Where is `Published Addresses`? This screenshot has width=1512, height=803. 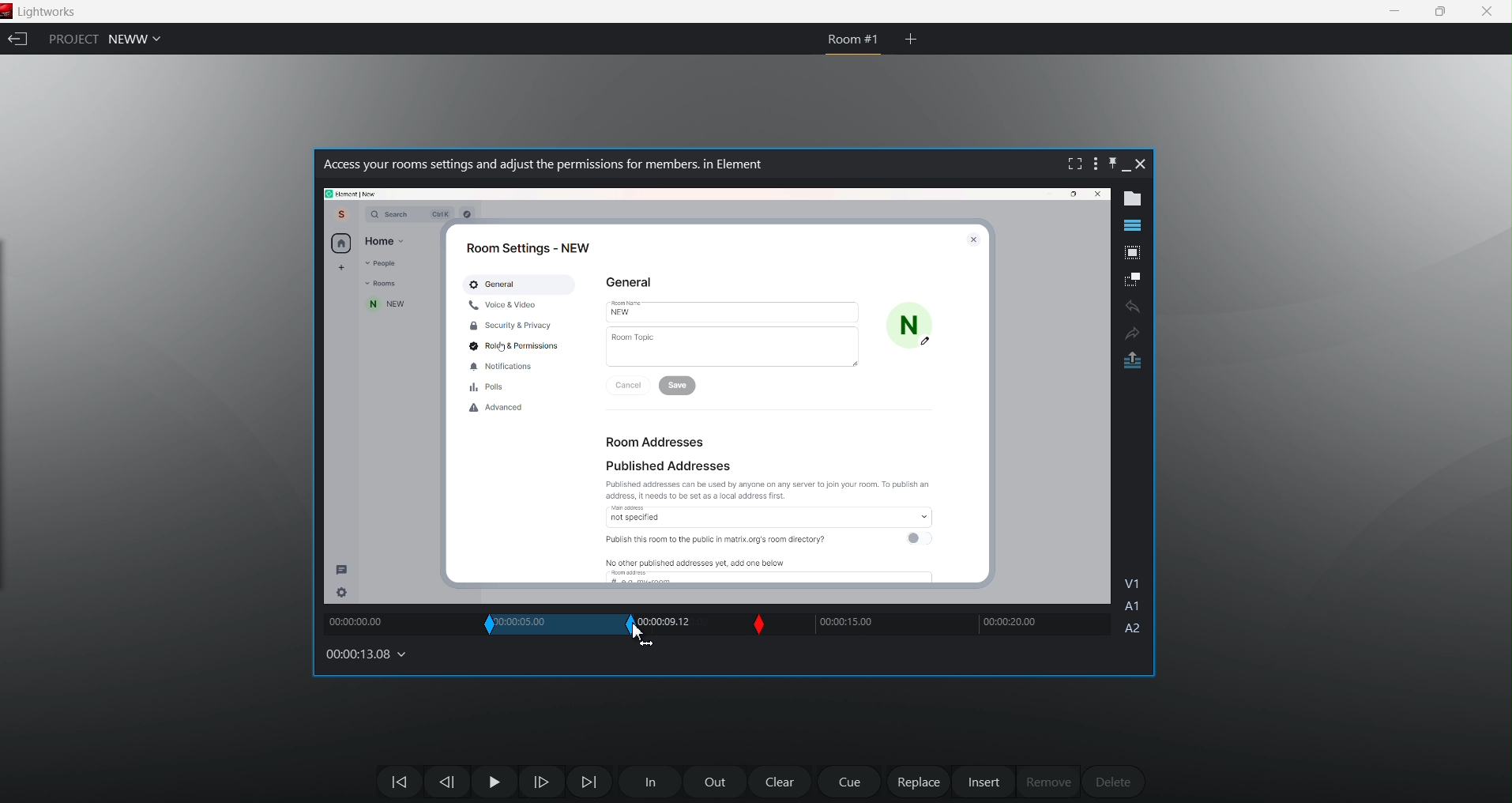
Published Addresses is located at coordinates (666, 465).